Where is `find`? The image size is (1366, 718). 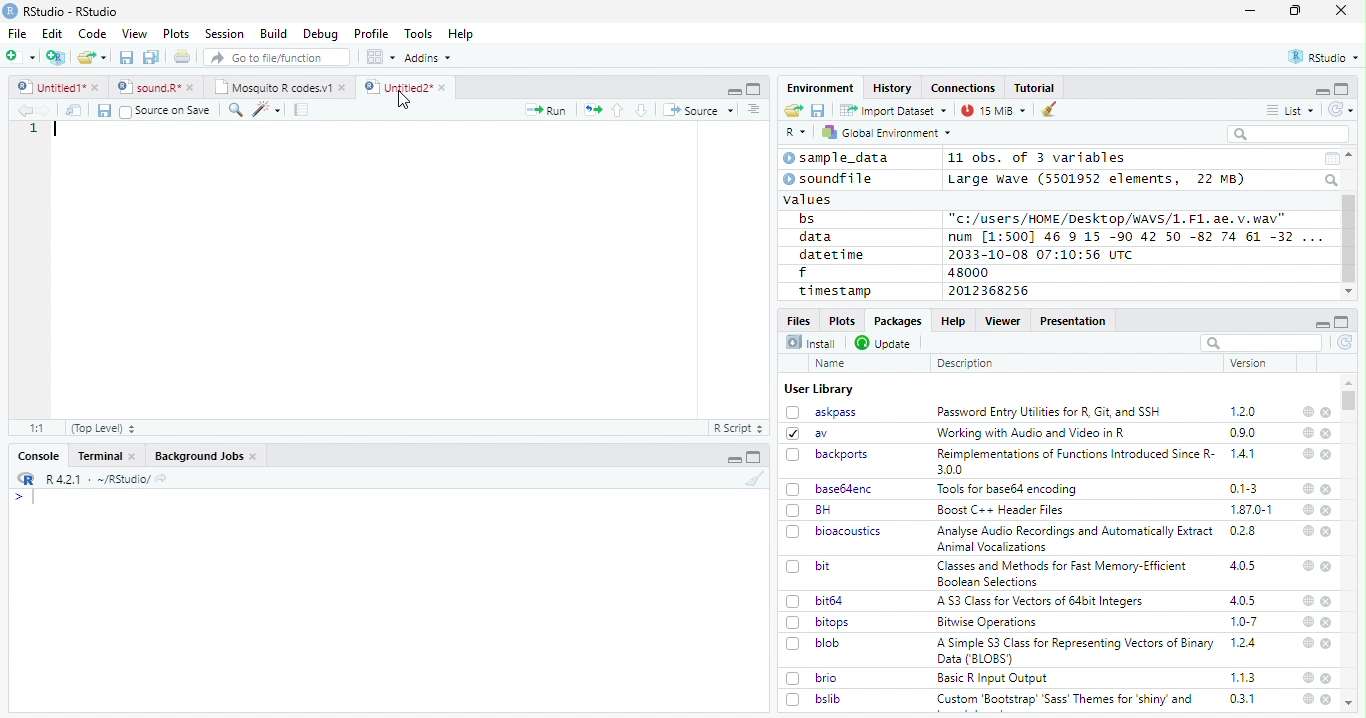 find is located at coordinates (233, 108).